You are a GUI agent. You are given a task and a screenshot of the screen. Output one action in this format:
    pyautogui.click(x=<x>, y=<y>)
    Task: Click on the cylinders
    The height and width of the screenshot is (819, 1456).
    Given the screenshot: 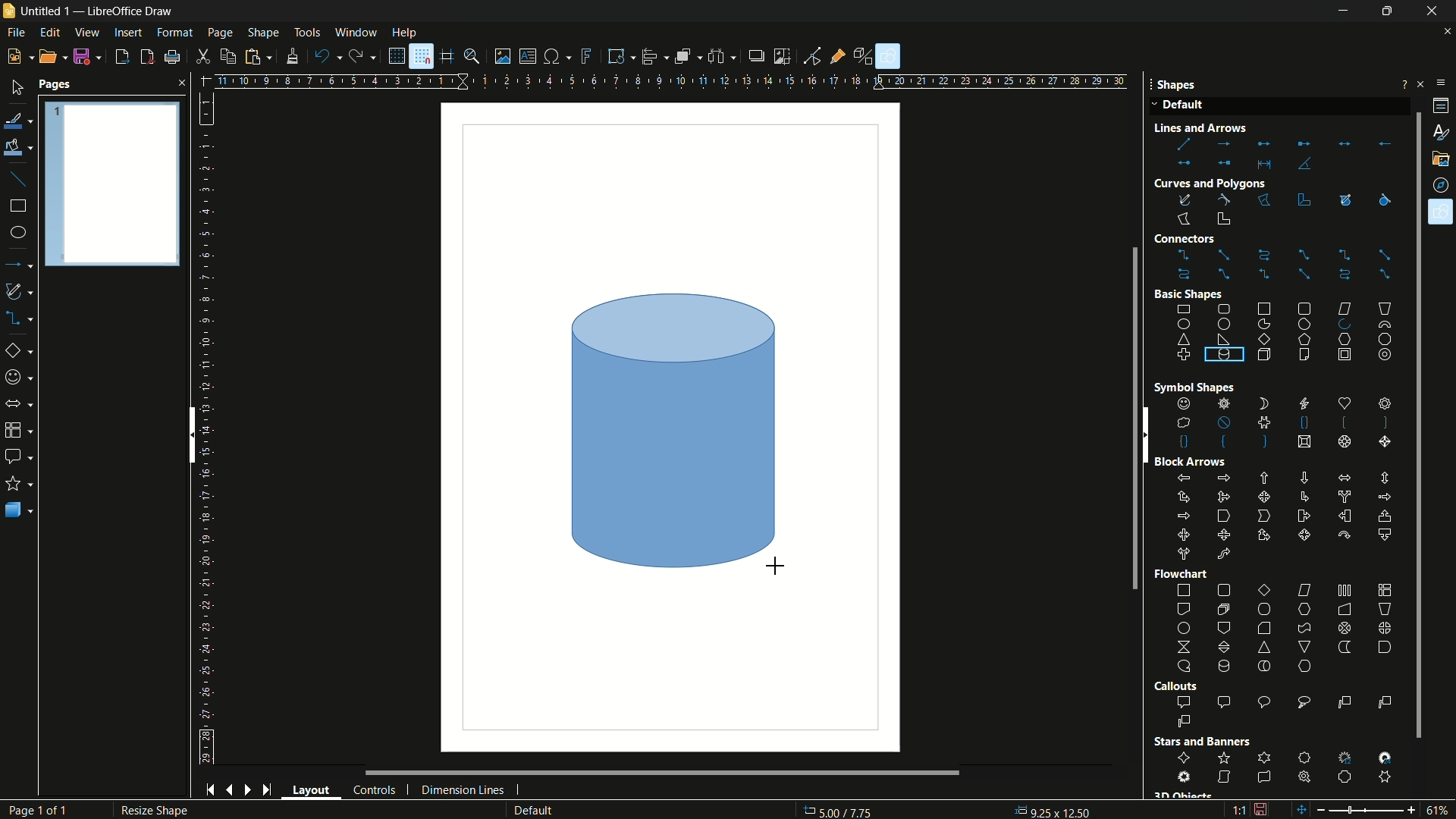 What is the action you would take?
    pyautogui.click(x=1243, y=378)
    